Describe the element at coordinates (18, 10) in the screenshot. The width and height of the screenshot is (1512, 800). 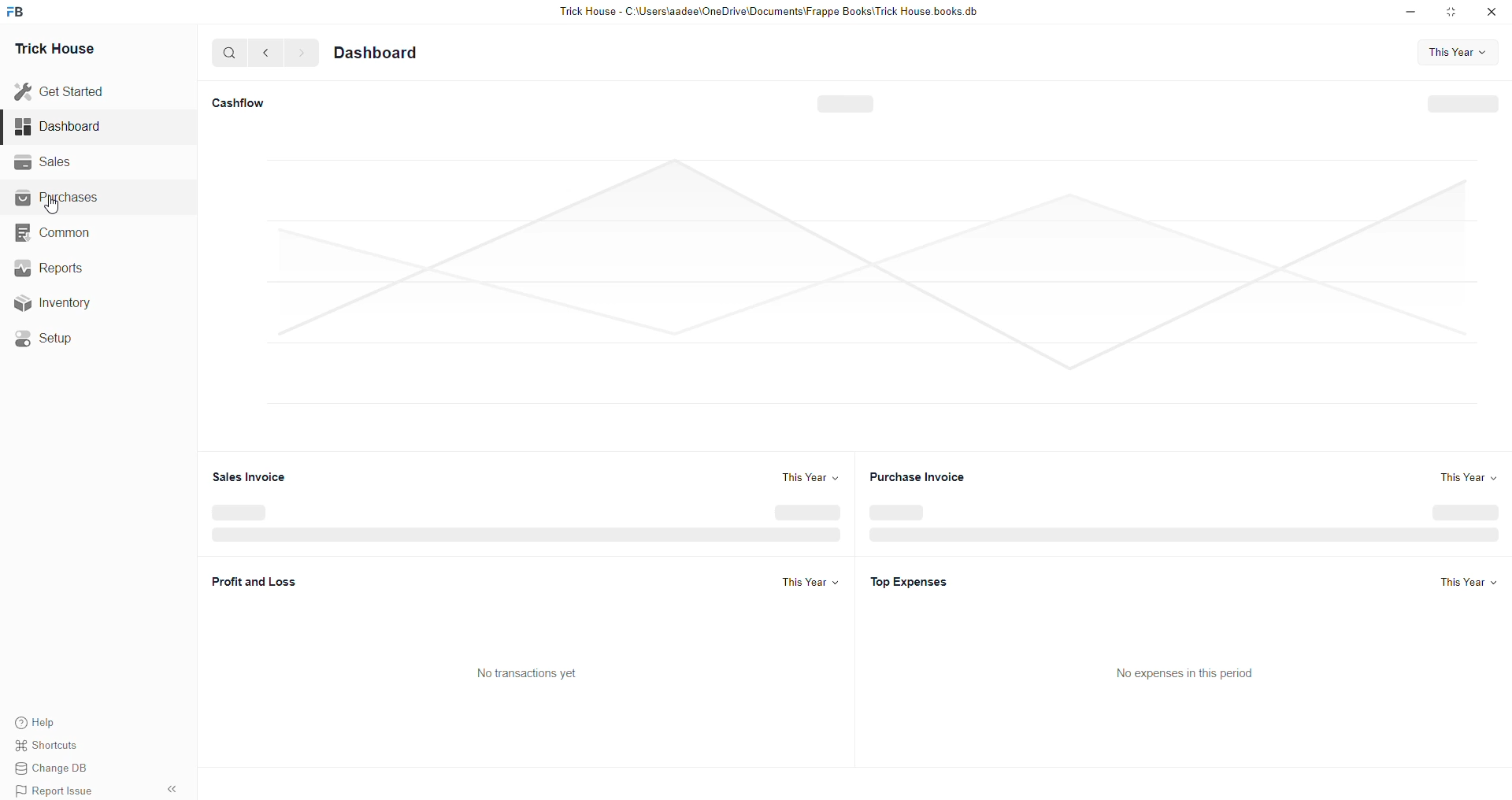
I see `FB` at that location.